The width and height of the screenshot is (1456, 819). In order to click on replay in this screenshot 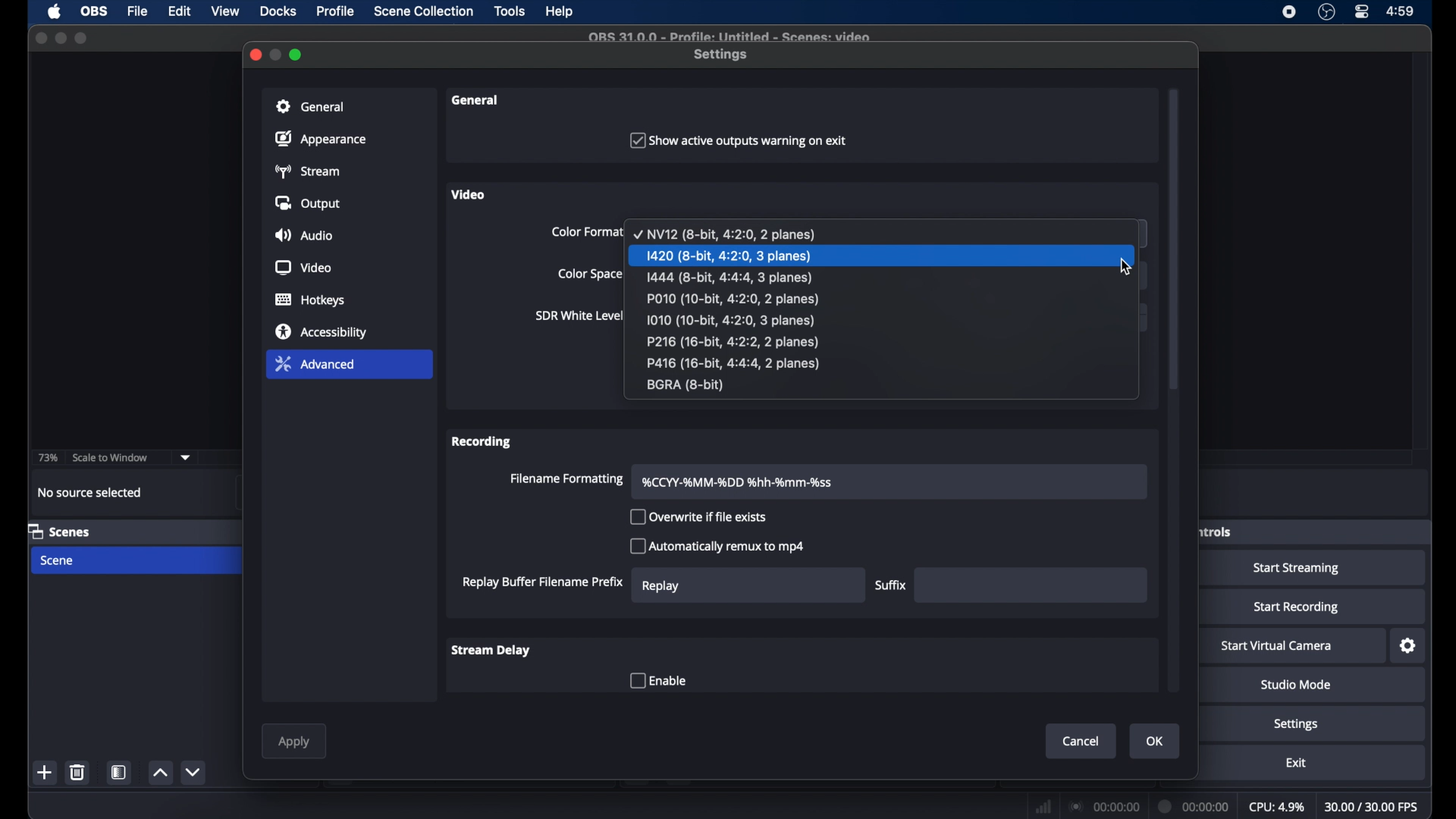, I will do `click(661, 586)`.